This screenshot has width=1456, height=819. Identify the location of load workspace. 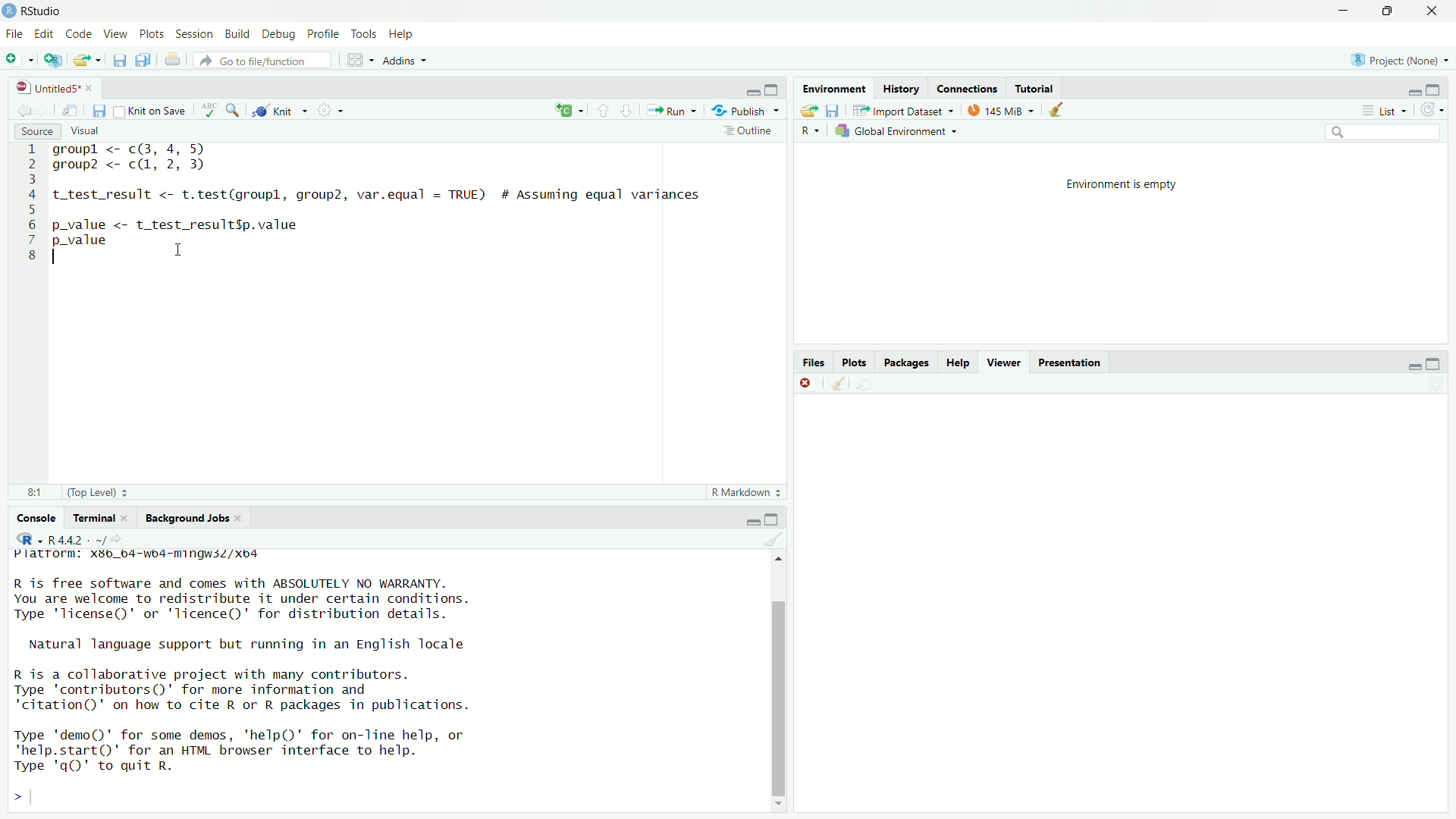
(808, 110).